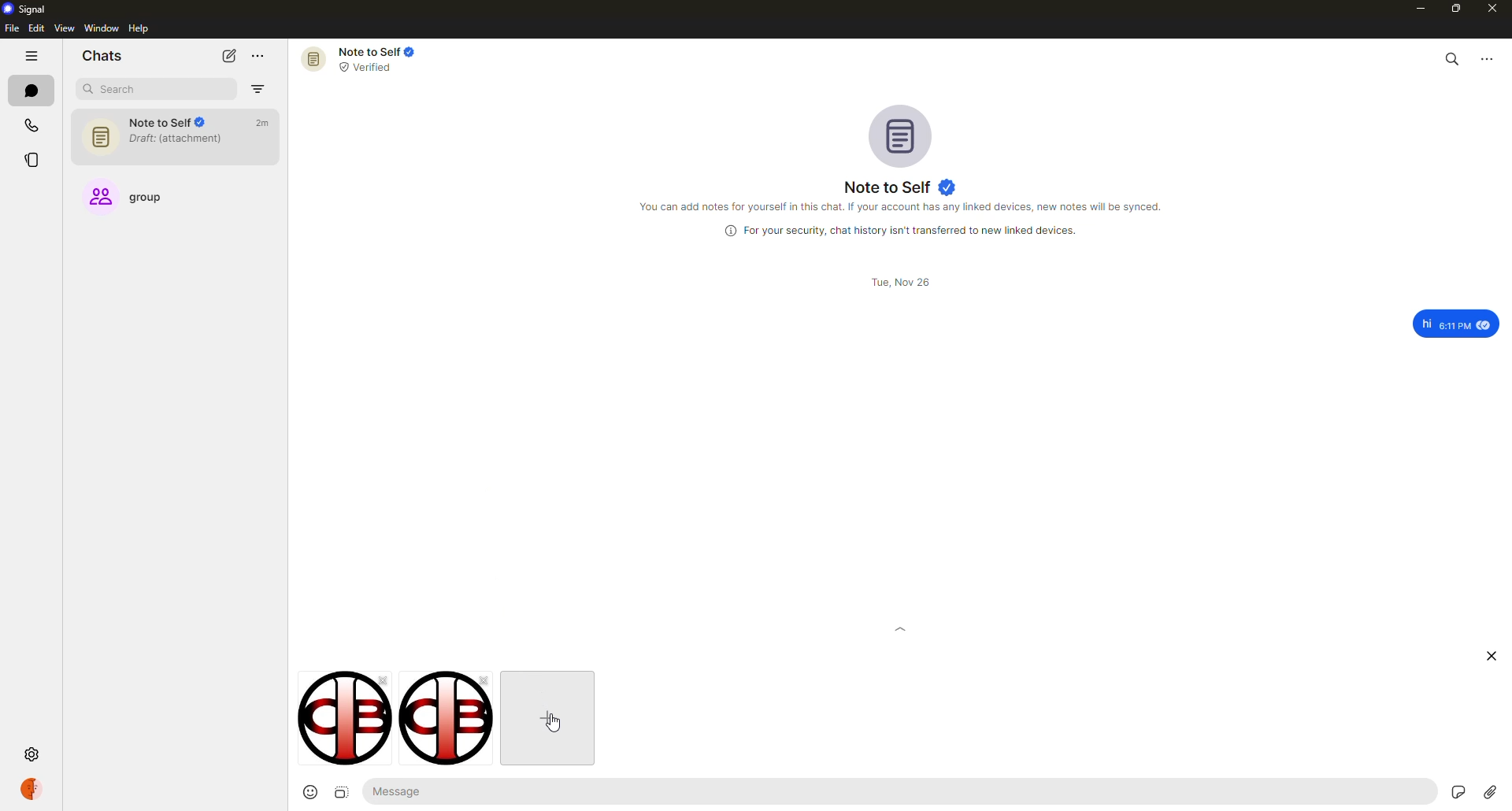 This screenshot has width=1512, height=811. Describe the element at coordinates (102, 29) in the screenshot. I see `window` at that location.